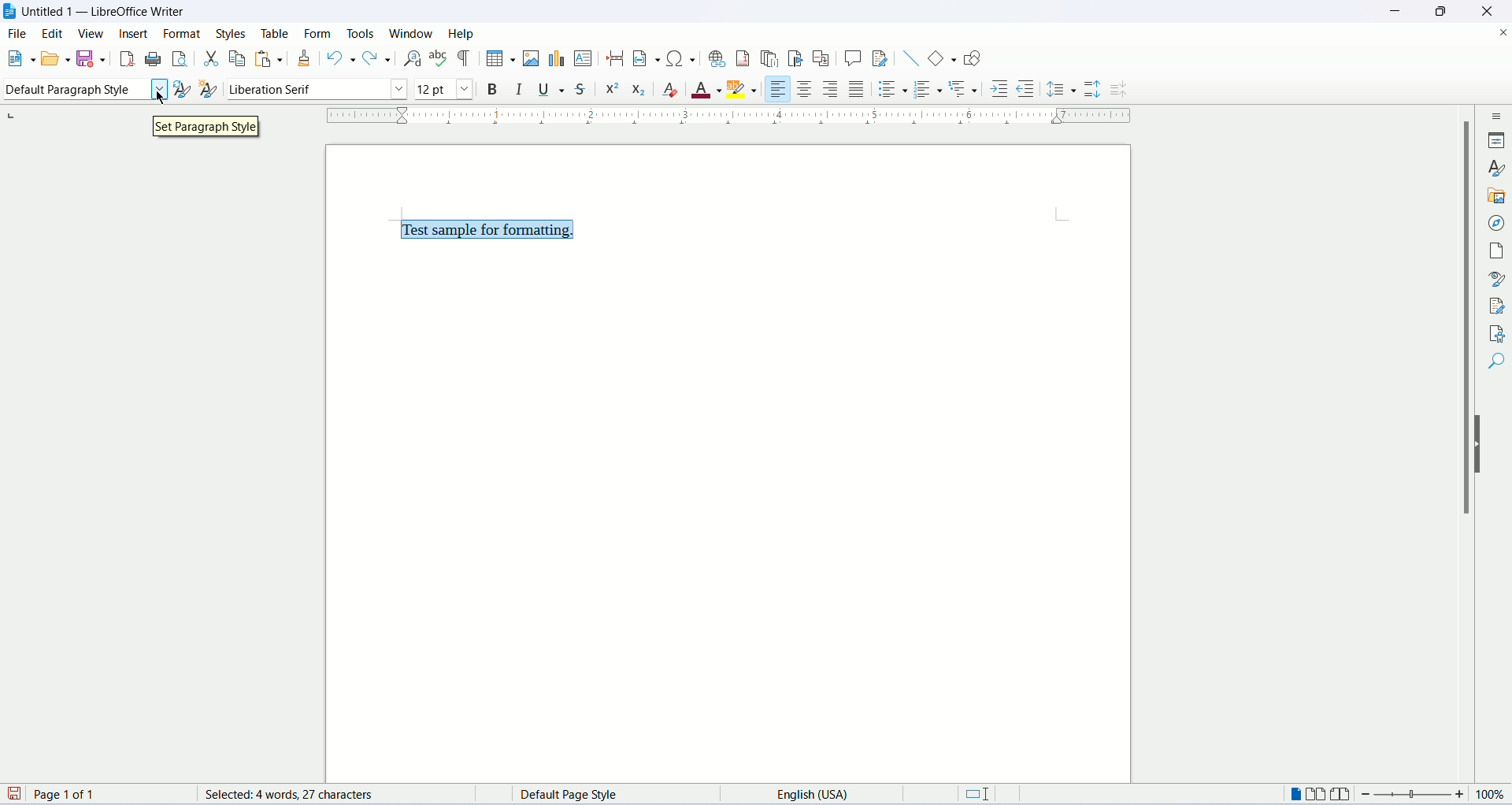 The height and width of the screenshot is (805, 1512). What do you see at coordinates (747, 91) in the screenshot?
I see `highlighting color` at bounding box center [747, 91].